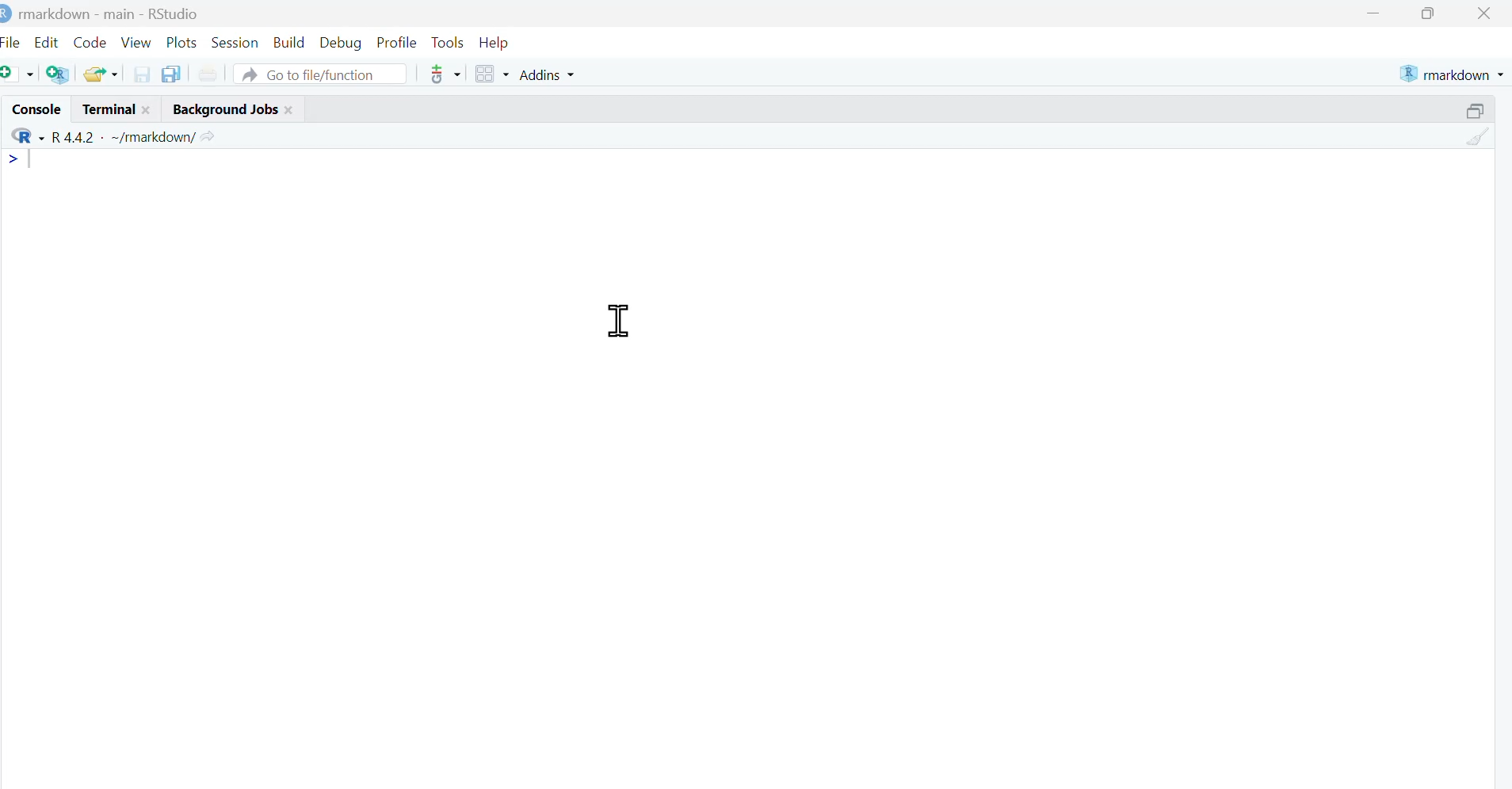 This screenshot has height=789, width=1512. What do you see at coordinates (143, 73) in the screenshot?
I see `save` at bounding box center [143, 73].